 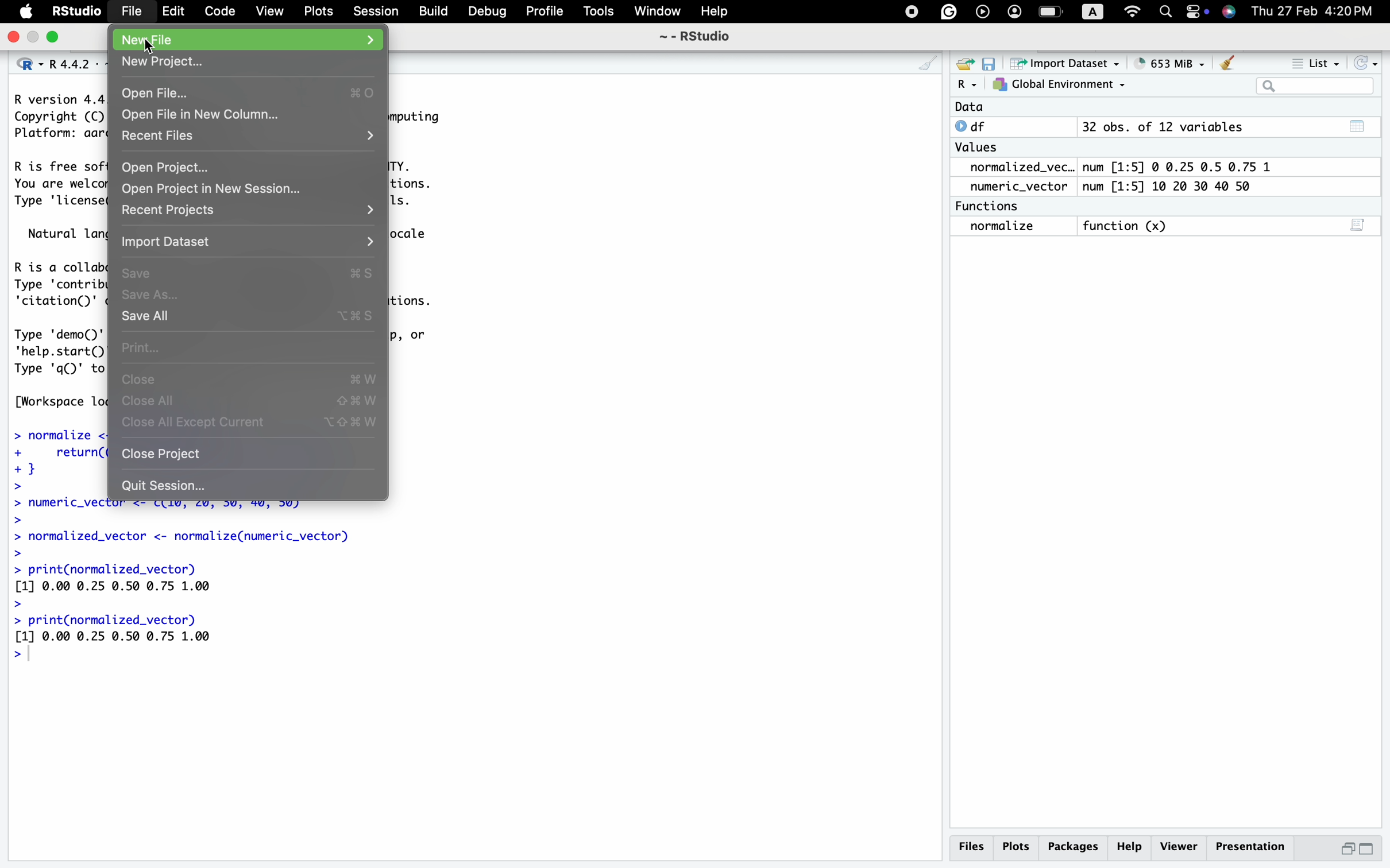 I want to click on Open Project in New Session, so click(x=215, y=191).